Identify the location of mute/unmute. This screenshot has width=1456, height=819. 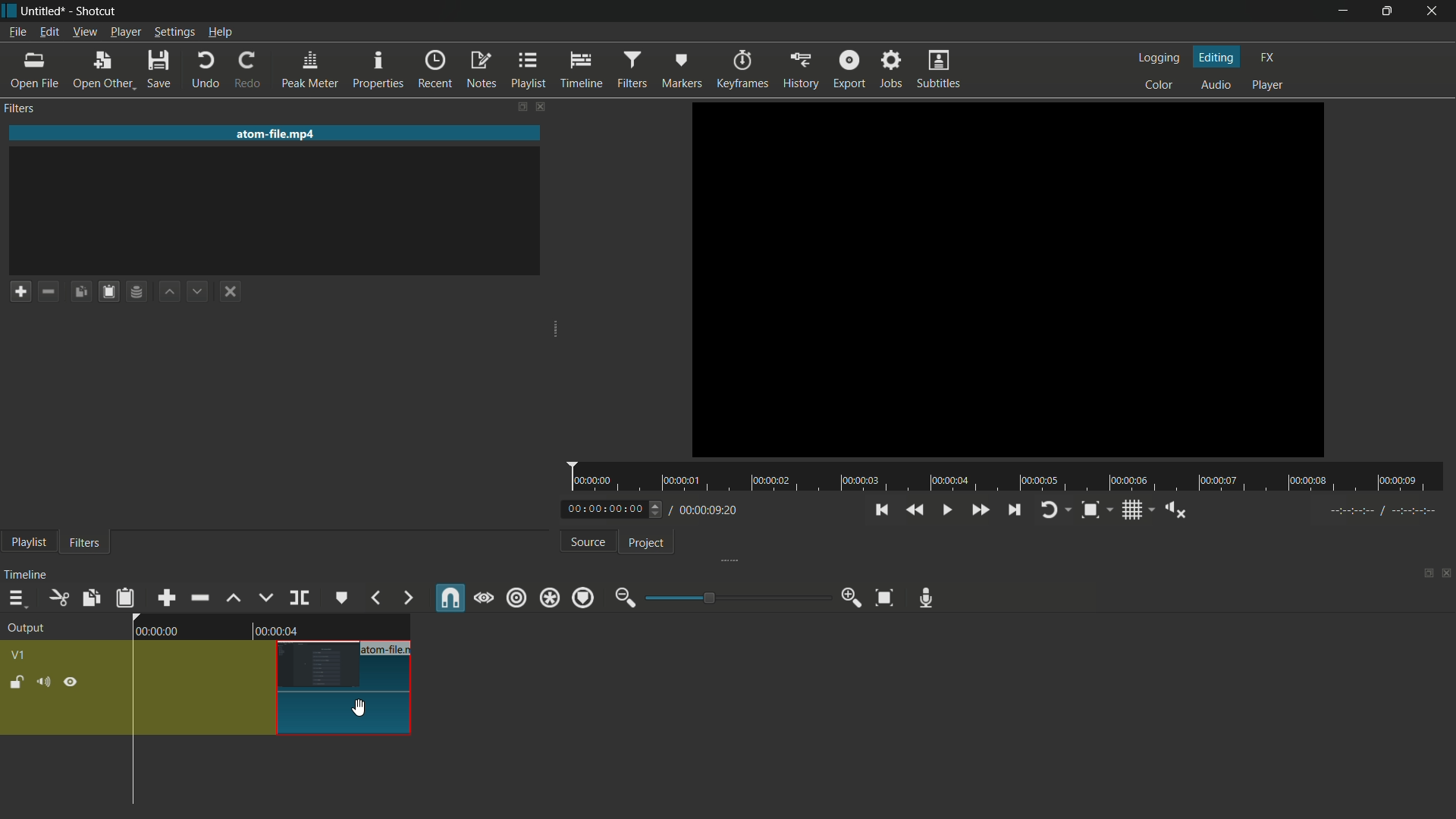
(44, 681).